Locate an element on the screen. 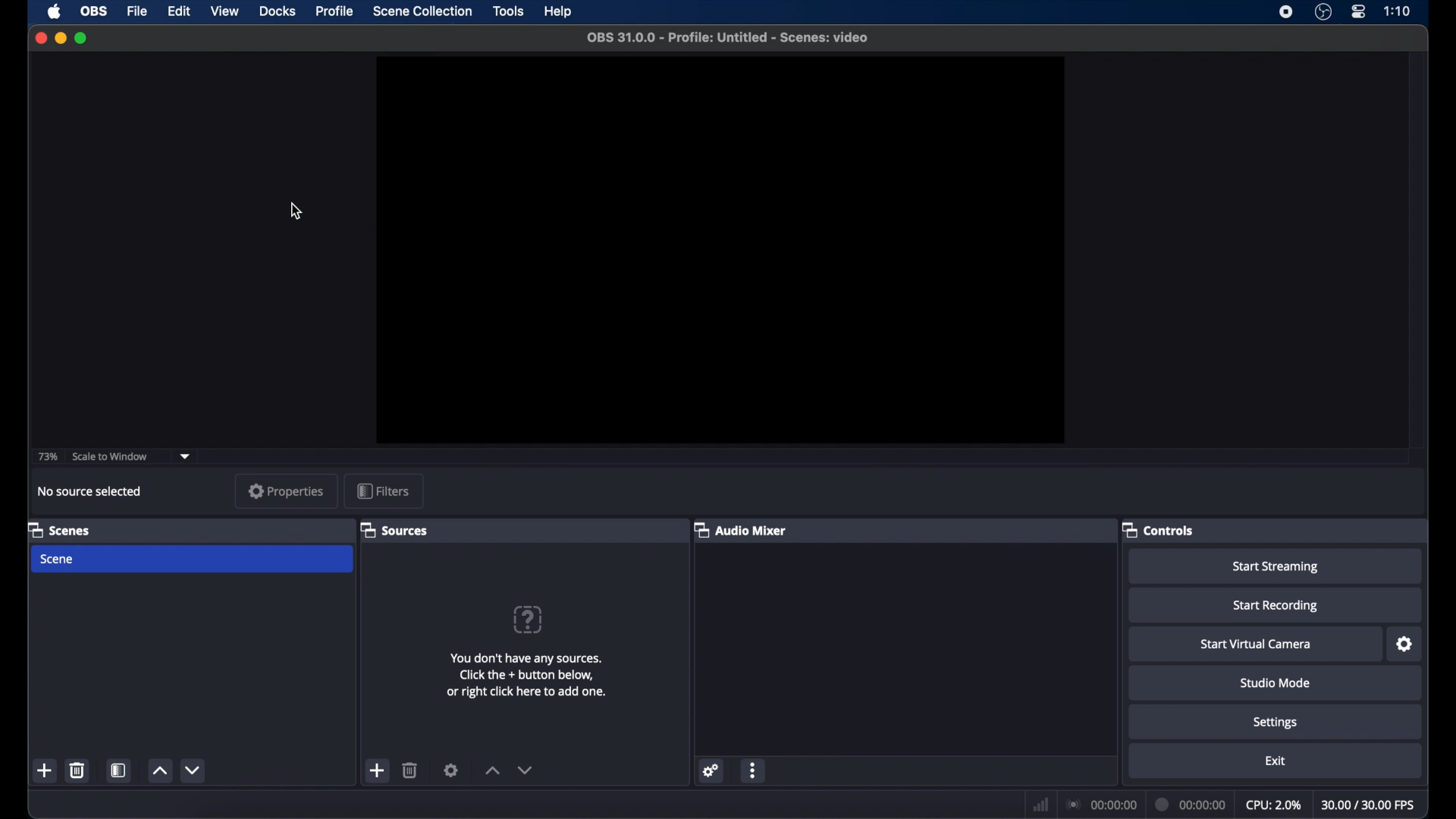  info is located at coordinates (527, 677).